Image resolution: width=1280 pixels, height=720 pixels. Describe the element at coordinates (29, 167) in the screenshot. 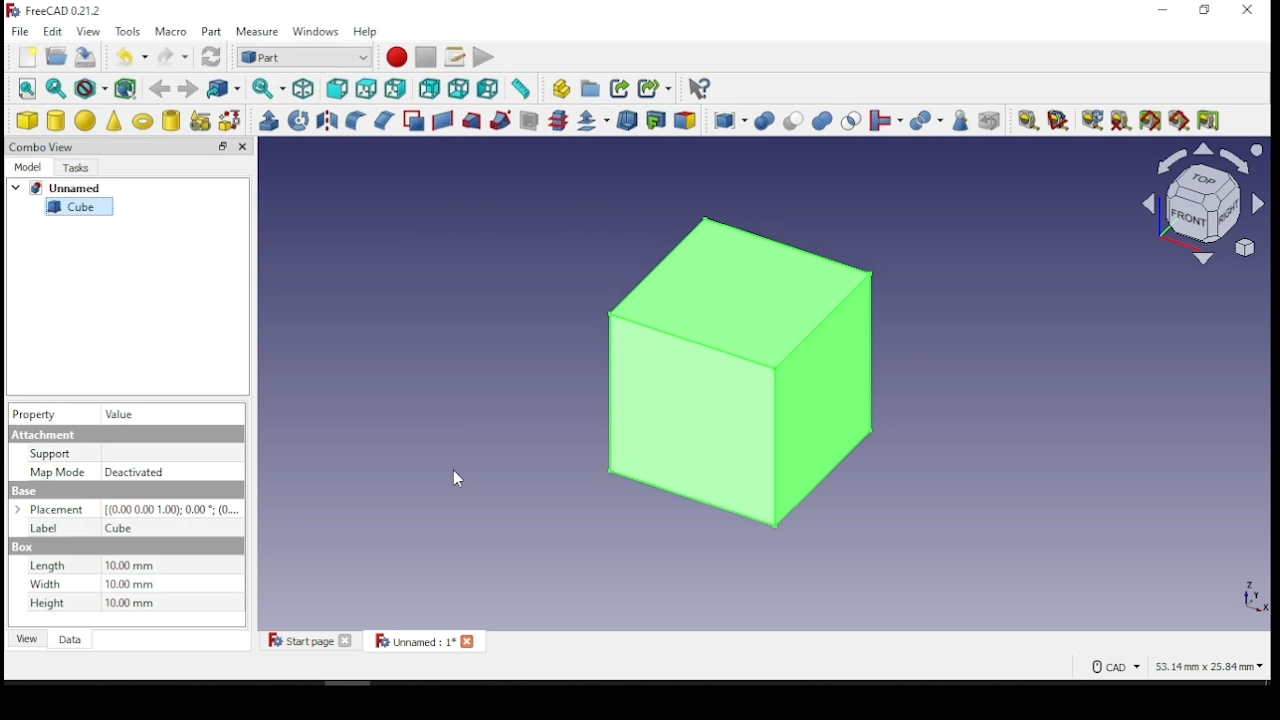

I see `model` at that location.